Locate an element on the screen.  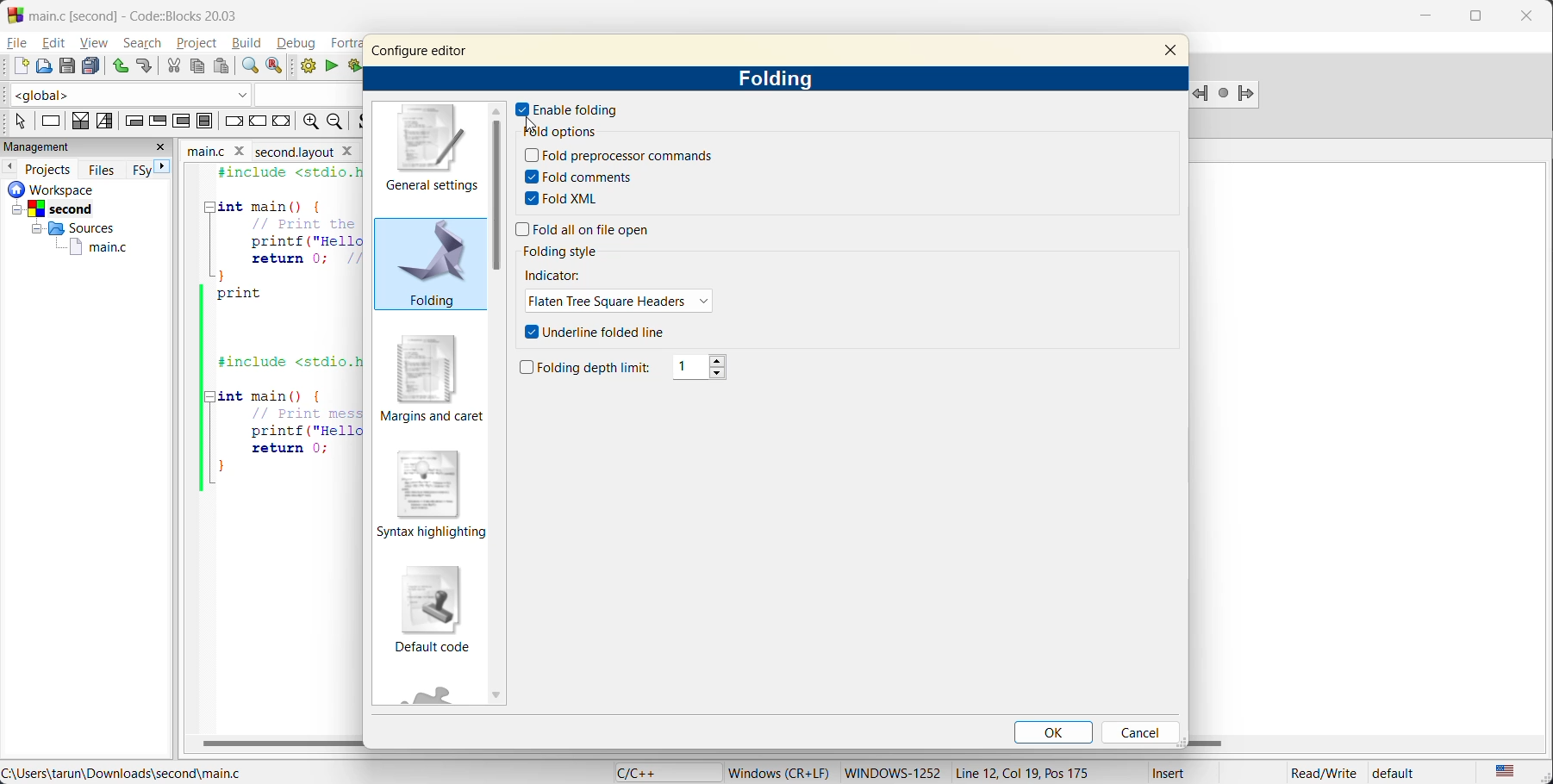
instruction  is located at coordinates (52, 121).